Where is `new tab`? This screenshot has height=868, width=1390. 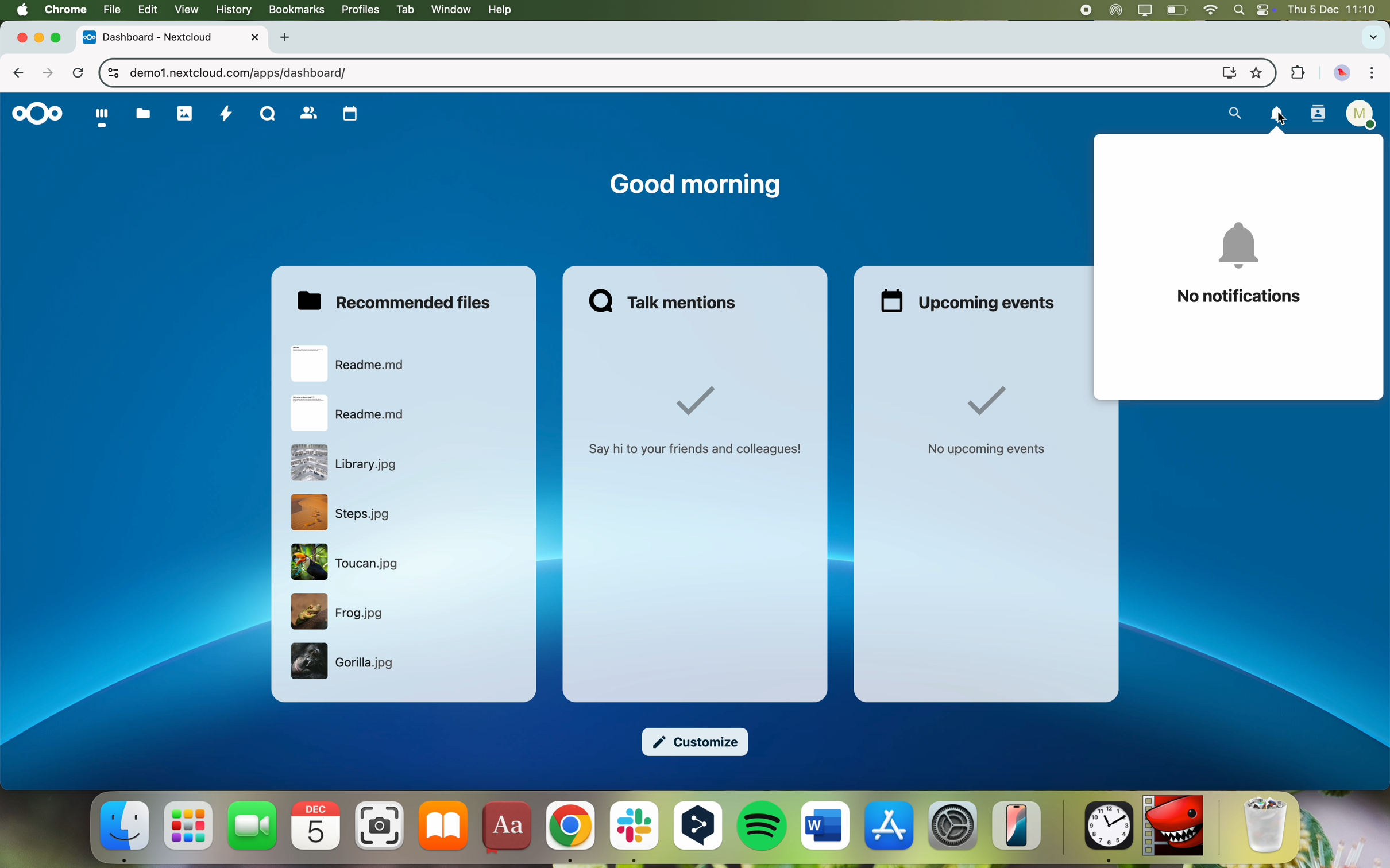
new tab is located at coordinates (287, 38).